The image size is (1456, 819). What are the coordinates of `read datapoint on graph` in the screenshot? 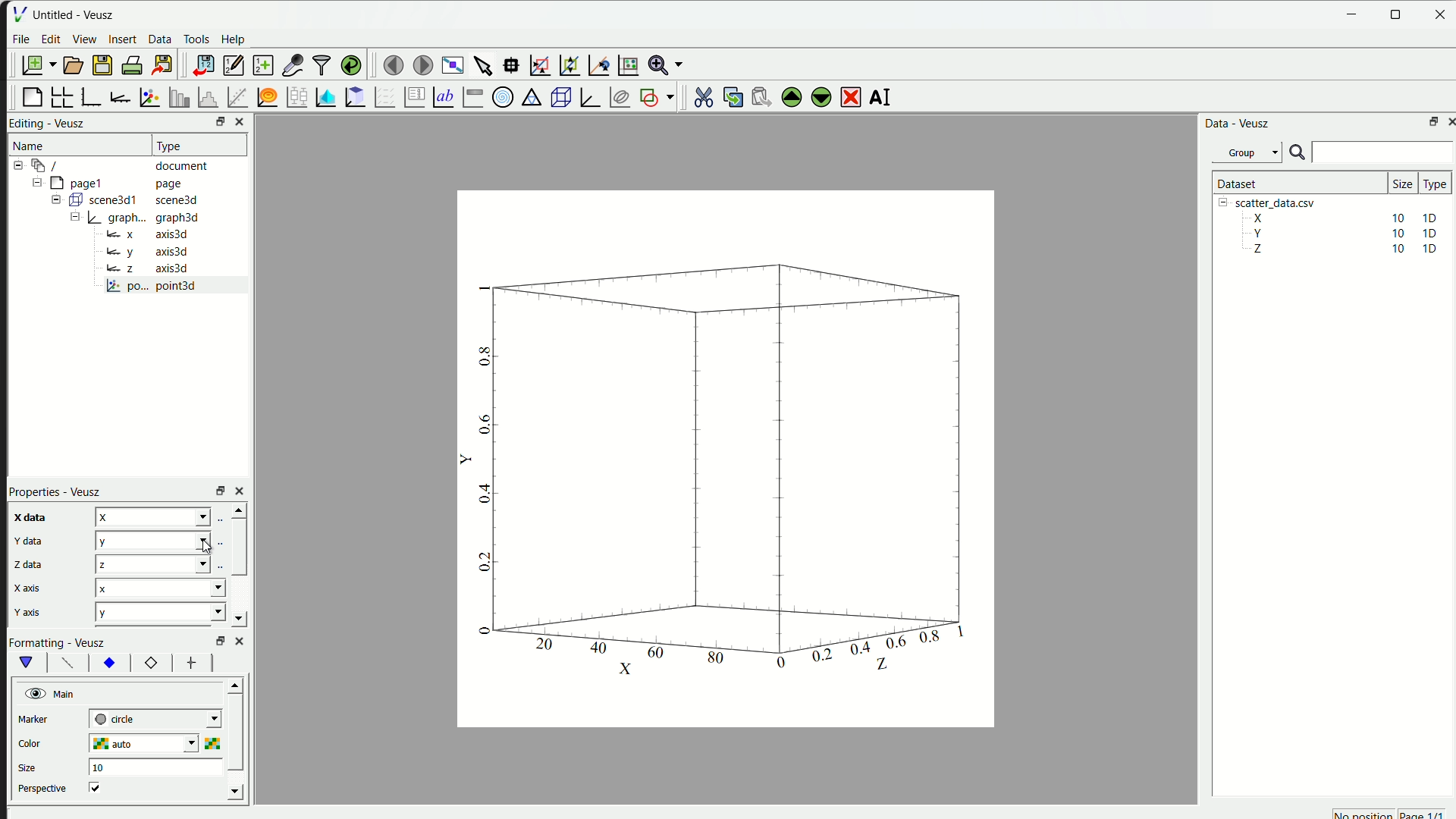 It's located at (510, 64).